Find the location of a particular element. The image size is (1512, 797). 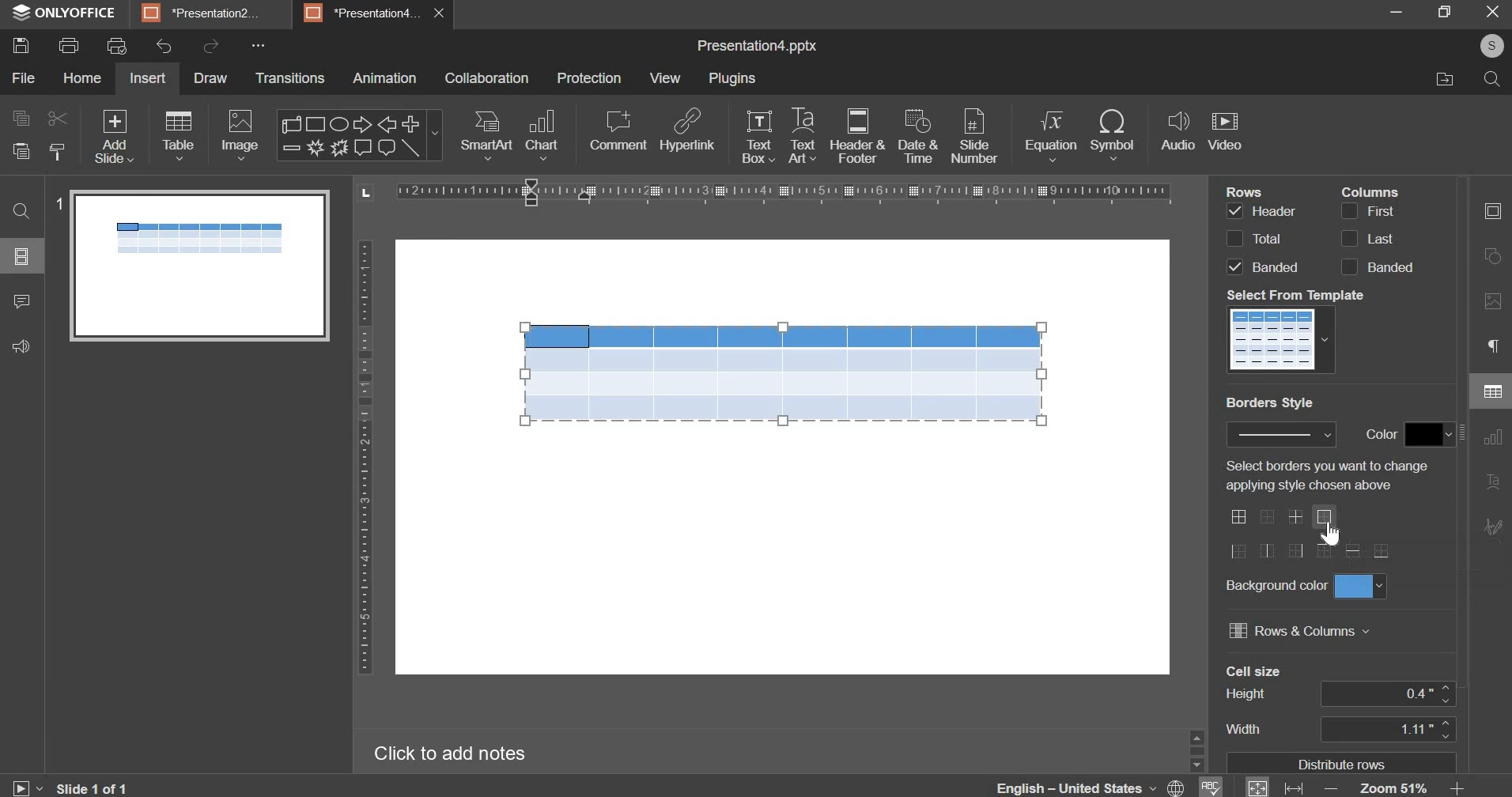

audio is located at coordinates (1178, 132).